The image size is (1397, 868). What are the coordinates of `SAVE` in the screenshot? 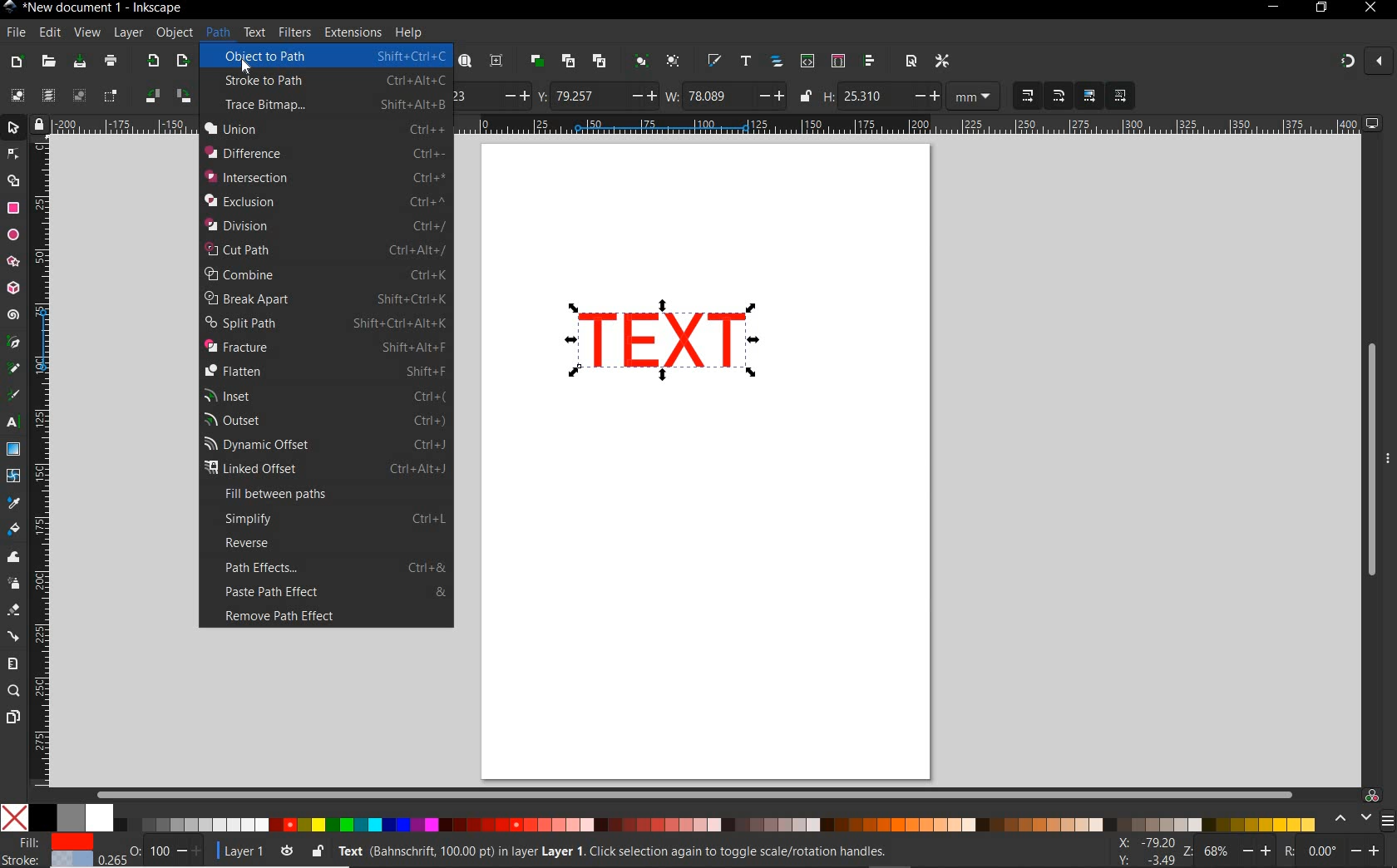 It's located at (78, 62).